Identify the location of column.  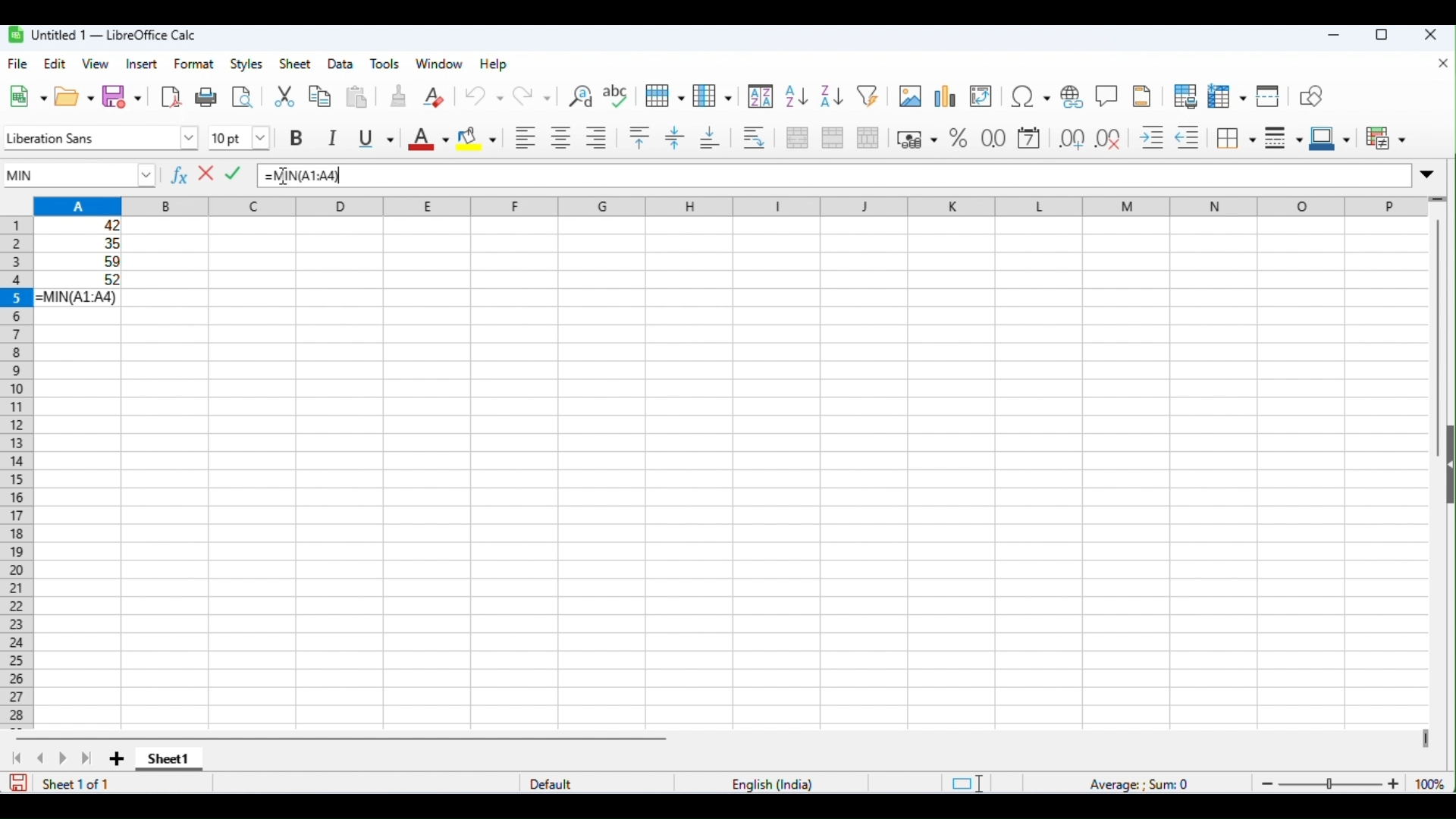
(711, 96).